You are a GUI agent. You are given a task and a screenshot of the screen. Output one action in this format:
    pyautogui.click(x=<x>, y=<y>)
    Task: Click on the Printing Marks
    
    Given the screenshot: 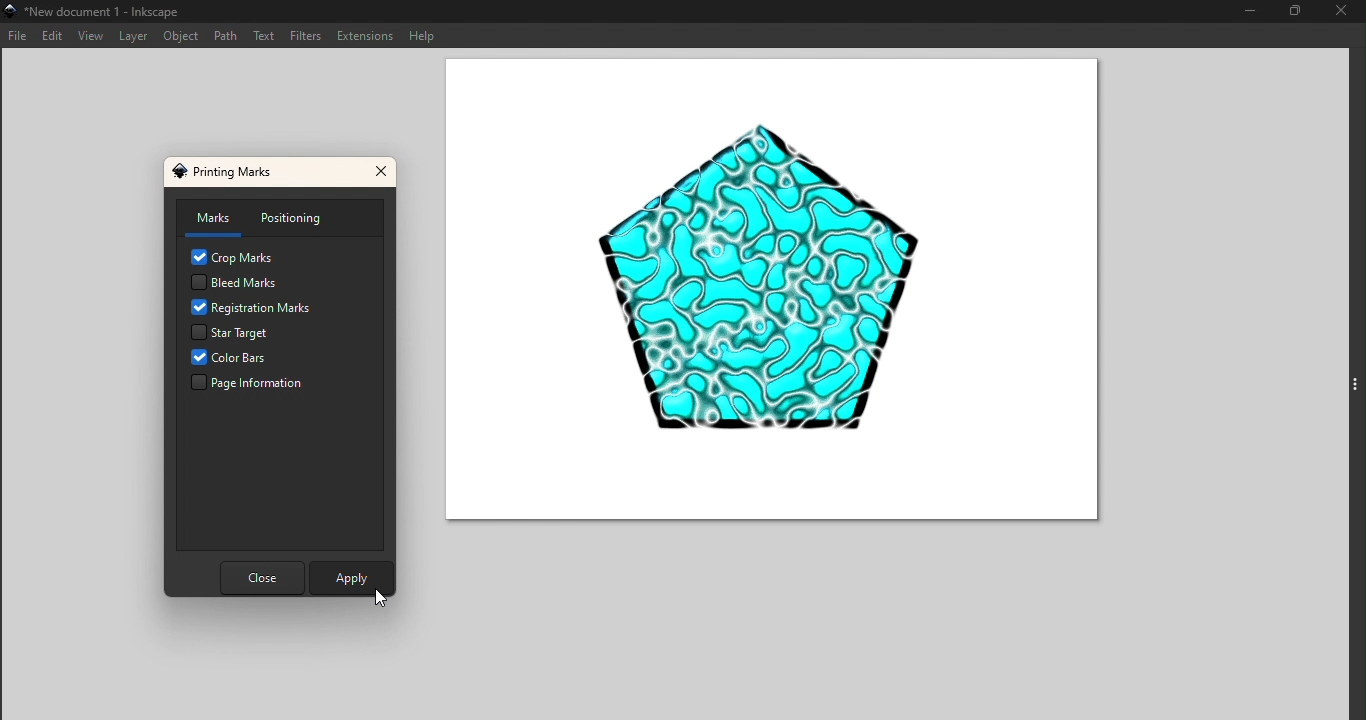 What is the action you would take?
    pyautogui.click(x=229, y=171)
    